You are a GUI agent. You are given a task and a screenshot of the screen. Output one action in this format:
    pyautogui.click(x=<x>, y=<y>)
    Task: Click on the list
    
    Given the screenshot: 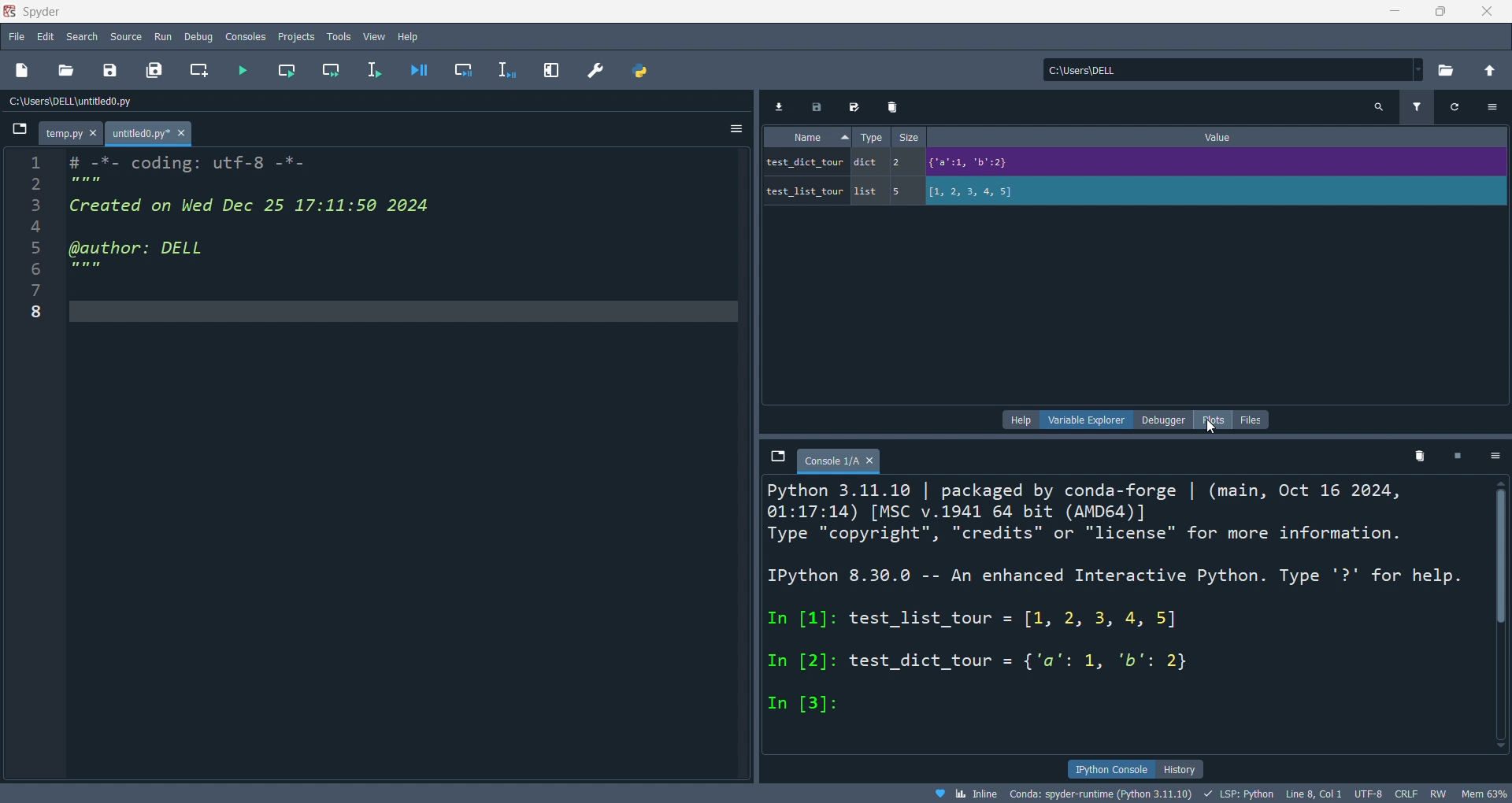 What is the action you would take?
    pyautogui.click(x=866, y=191)
    